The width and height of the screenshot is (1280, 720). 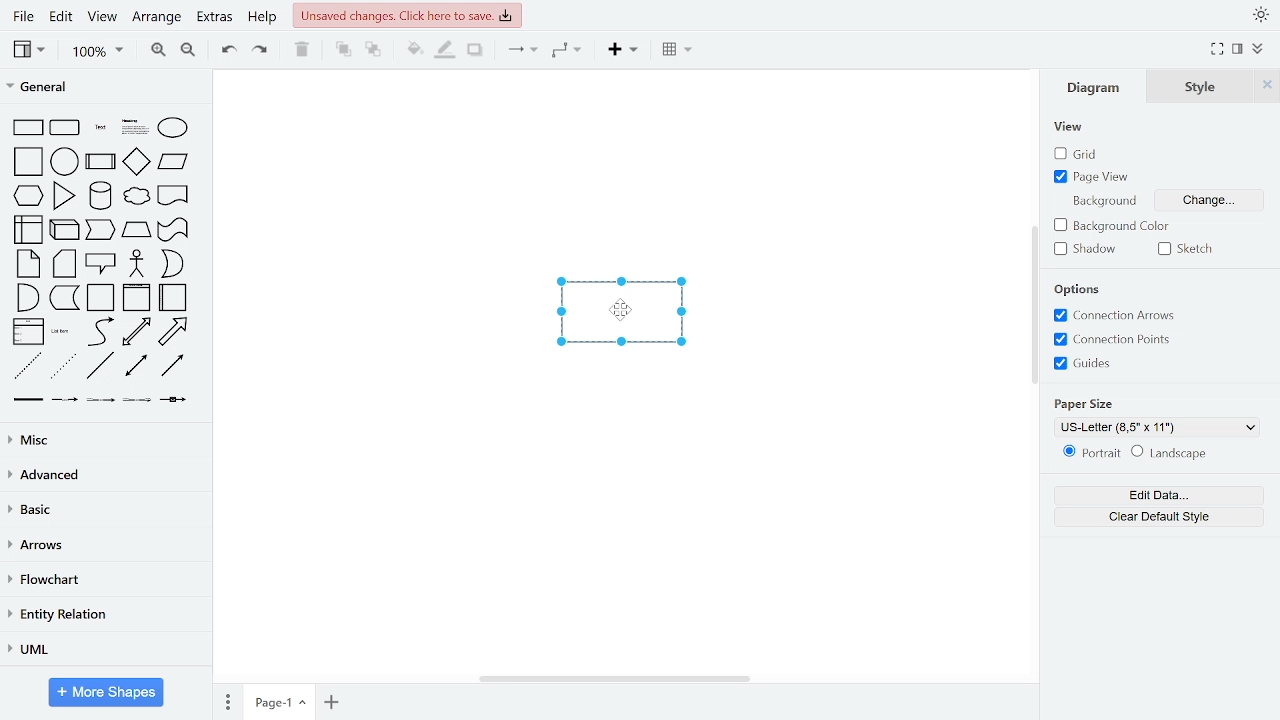 What do you see at coordinates (136, 399) in the screenshot?
I see `general shapes` at bounding box center [136, 399].